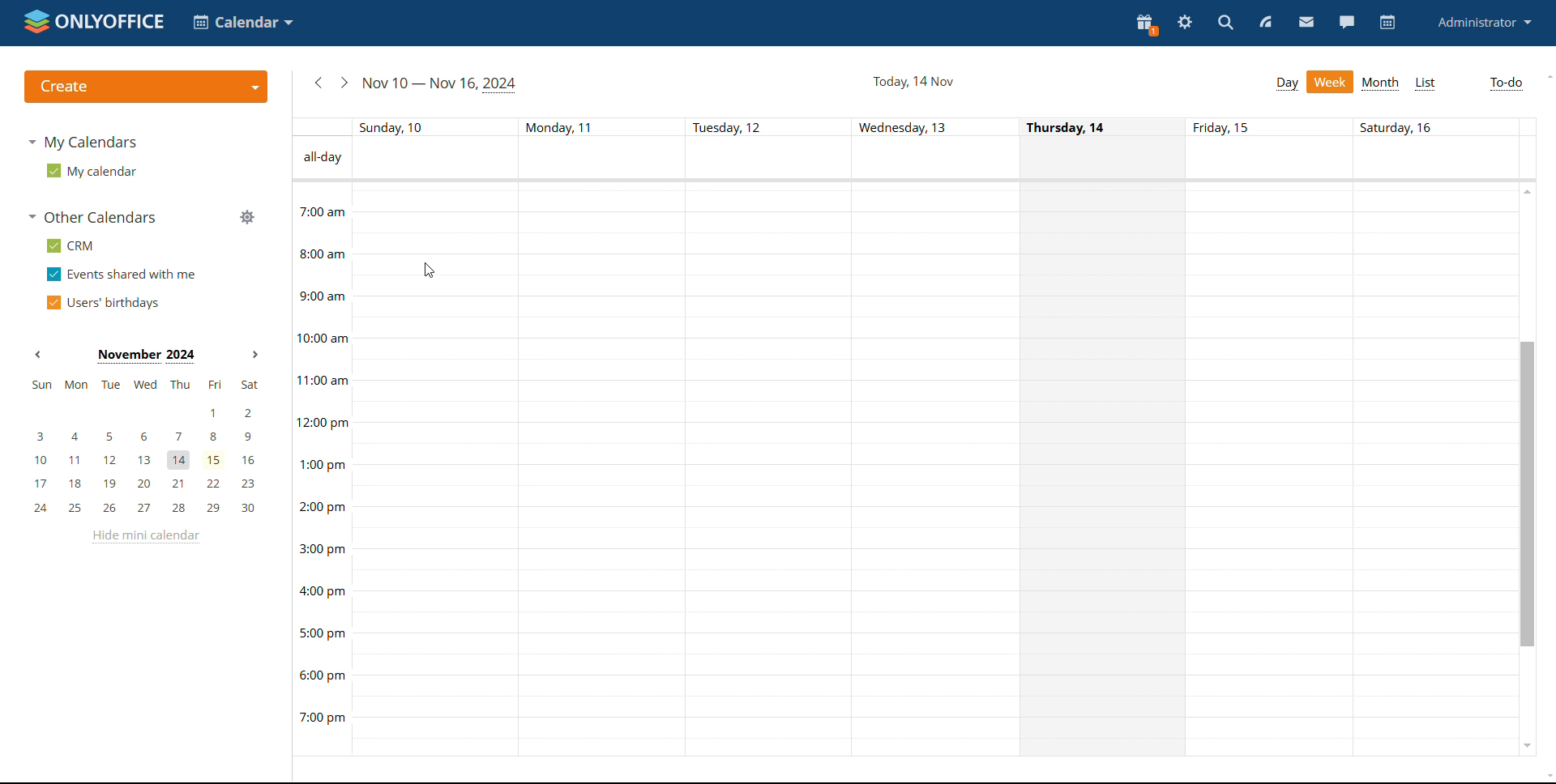 This screenshot has width=1556, height=784. I want to click on scroll up, so click(1546, 76).